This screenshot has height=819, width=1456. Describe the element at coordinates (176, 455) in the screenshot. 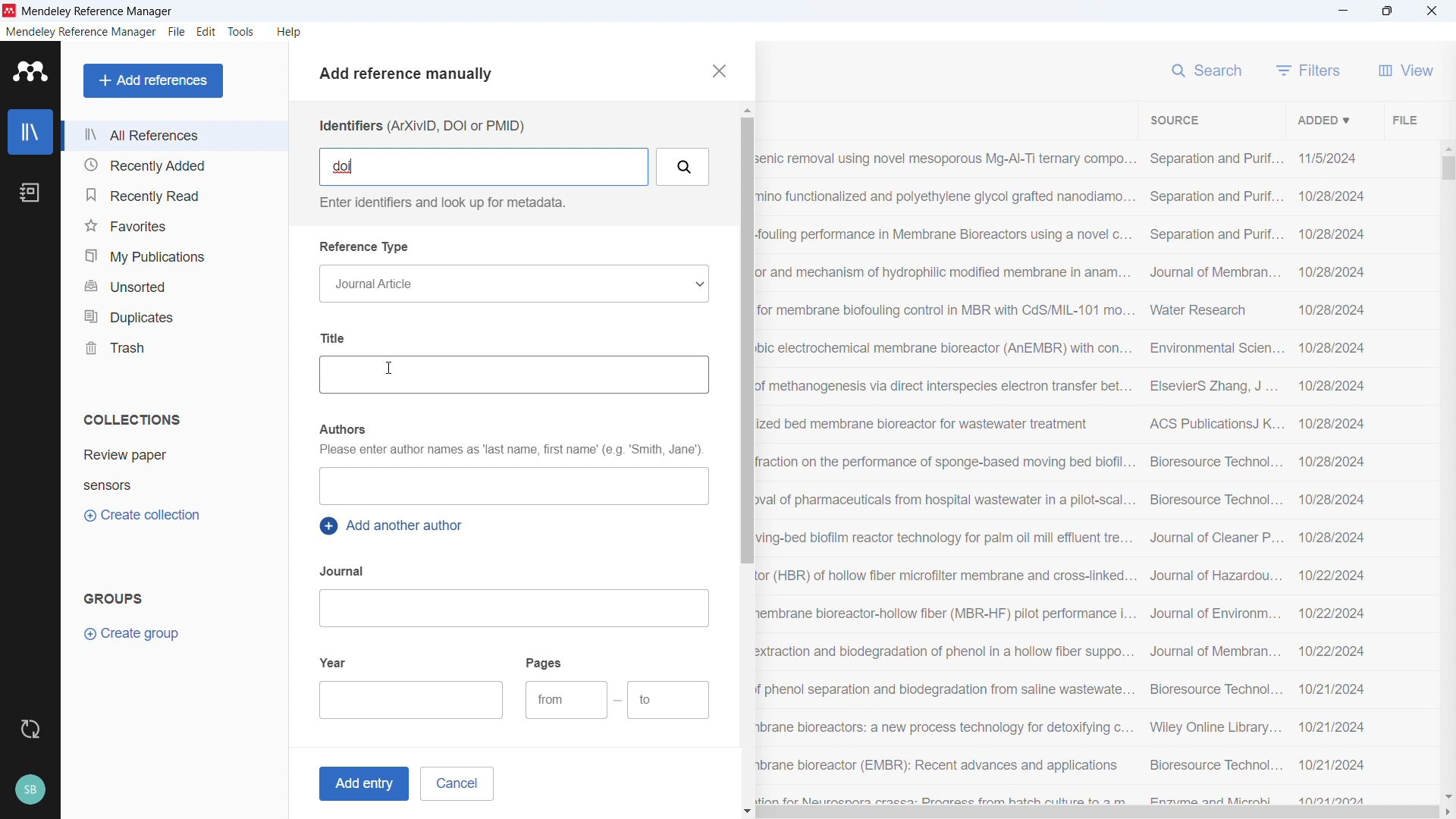

I see `Collection 1` at that location.